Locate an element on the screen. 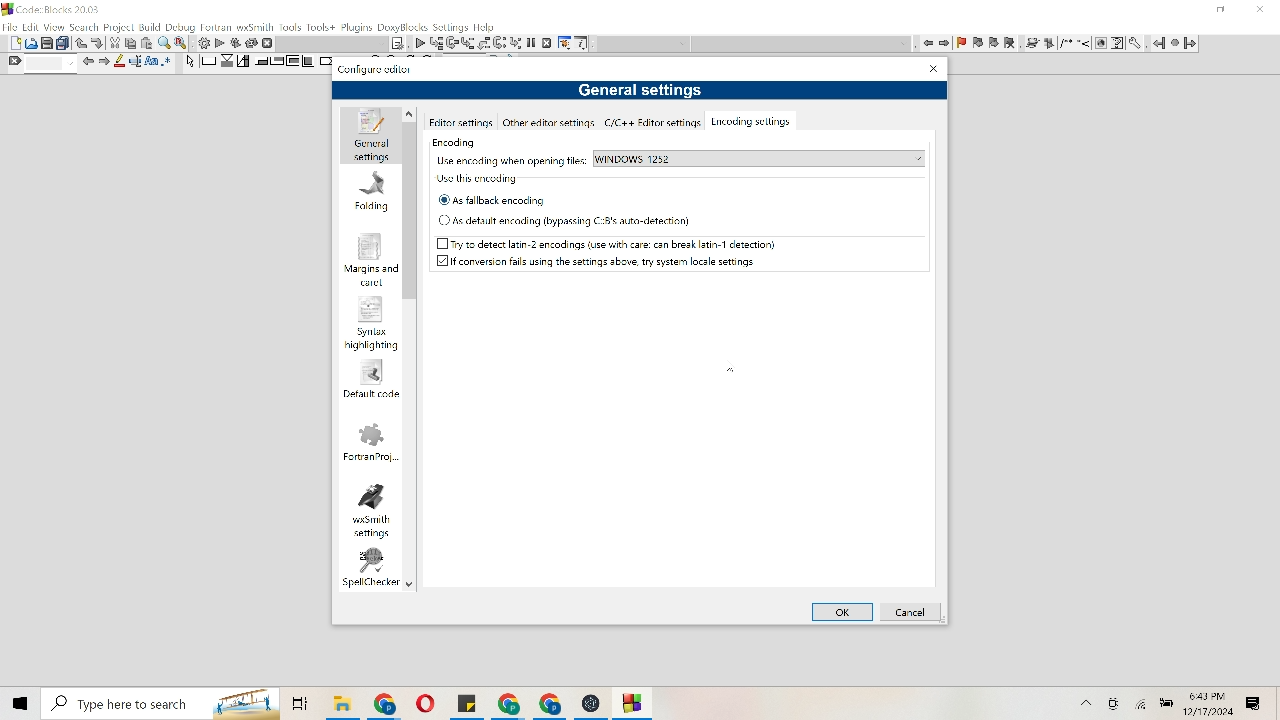 Image resolution: width=1280 pixels, height=720 pixels. tools is located at coordinates (1137, 44).